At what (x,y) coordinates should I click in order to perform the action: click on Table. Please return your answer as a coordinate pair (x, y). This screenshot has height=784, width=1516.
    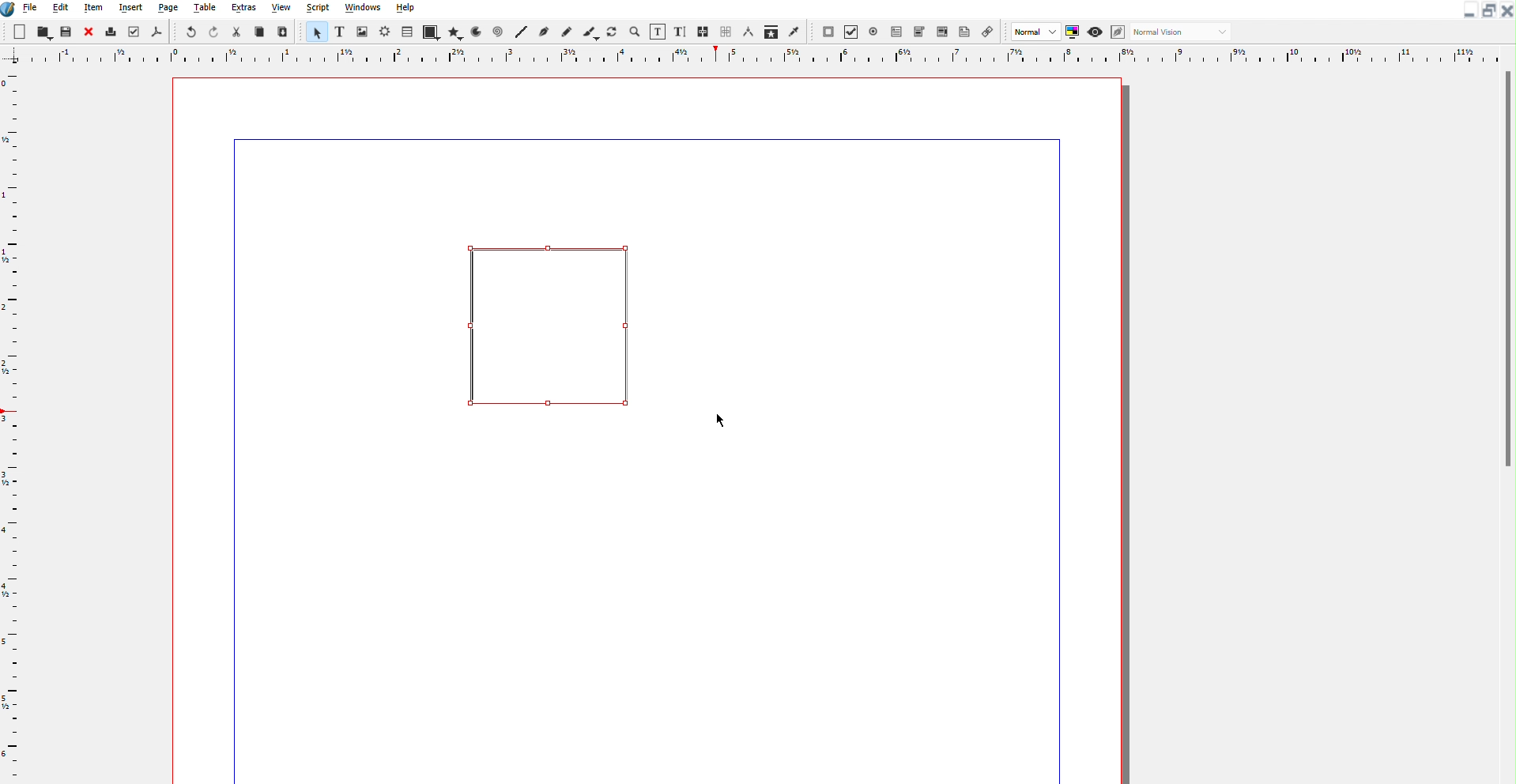
    Looking at the image, I should click on (409, 32).